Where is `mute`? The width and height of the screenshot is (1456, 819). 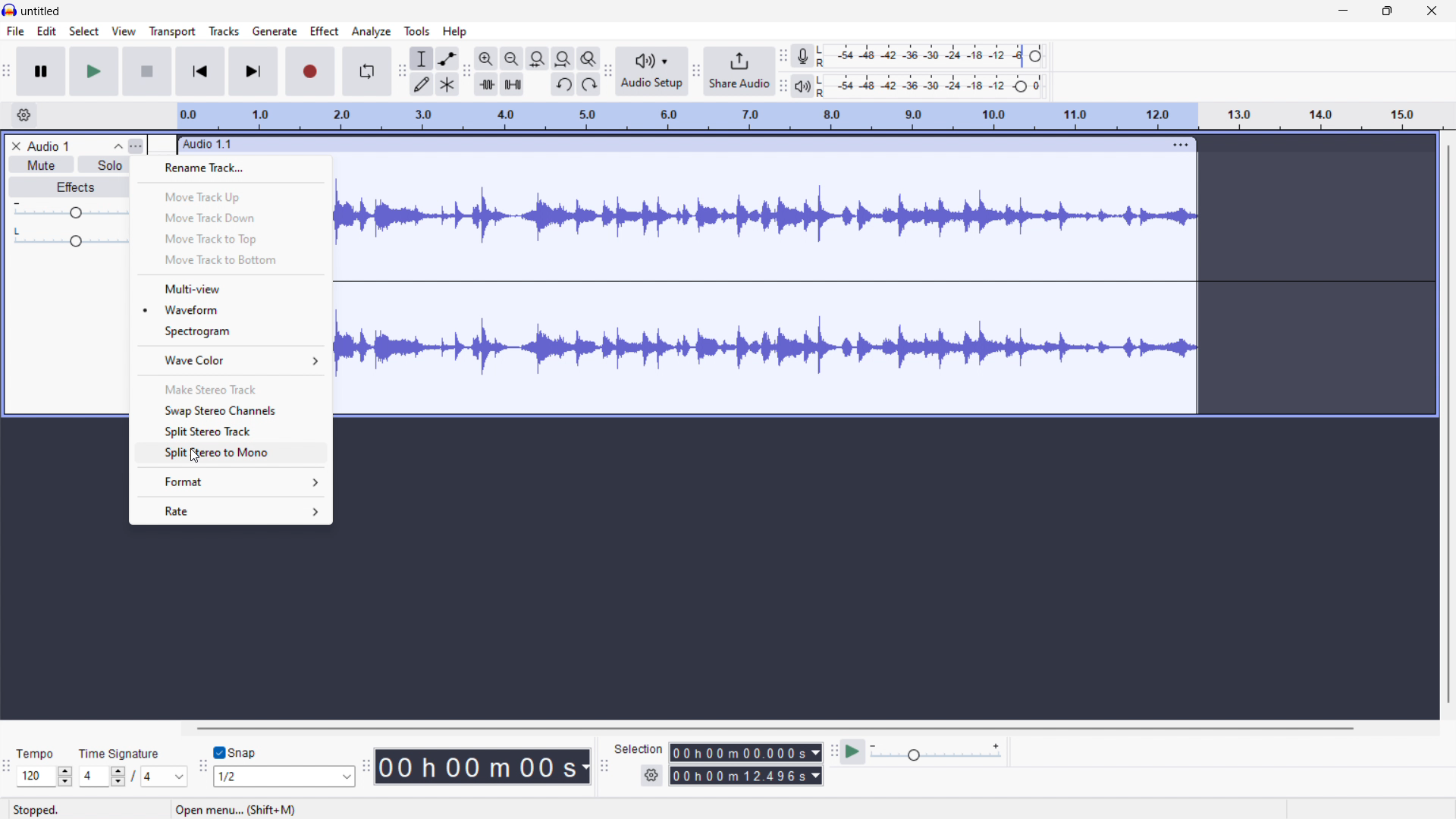
mute is located at coordinates (42, 165).